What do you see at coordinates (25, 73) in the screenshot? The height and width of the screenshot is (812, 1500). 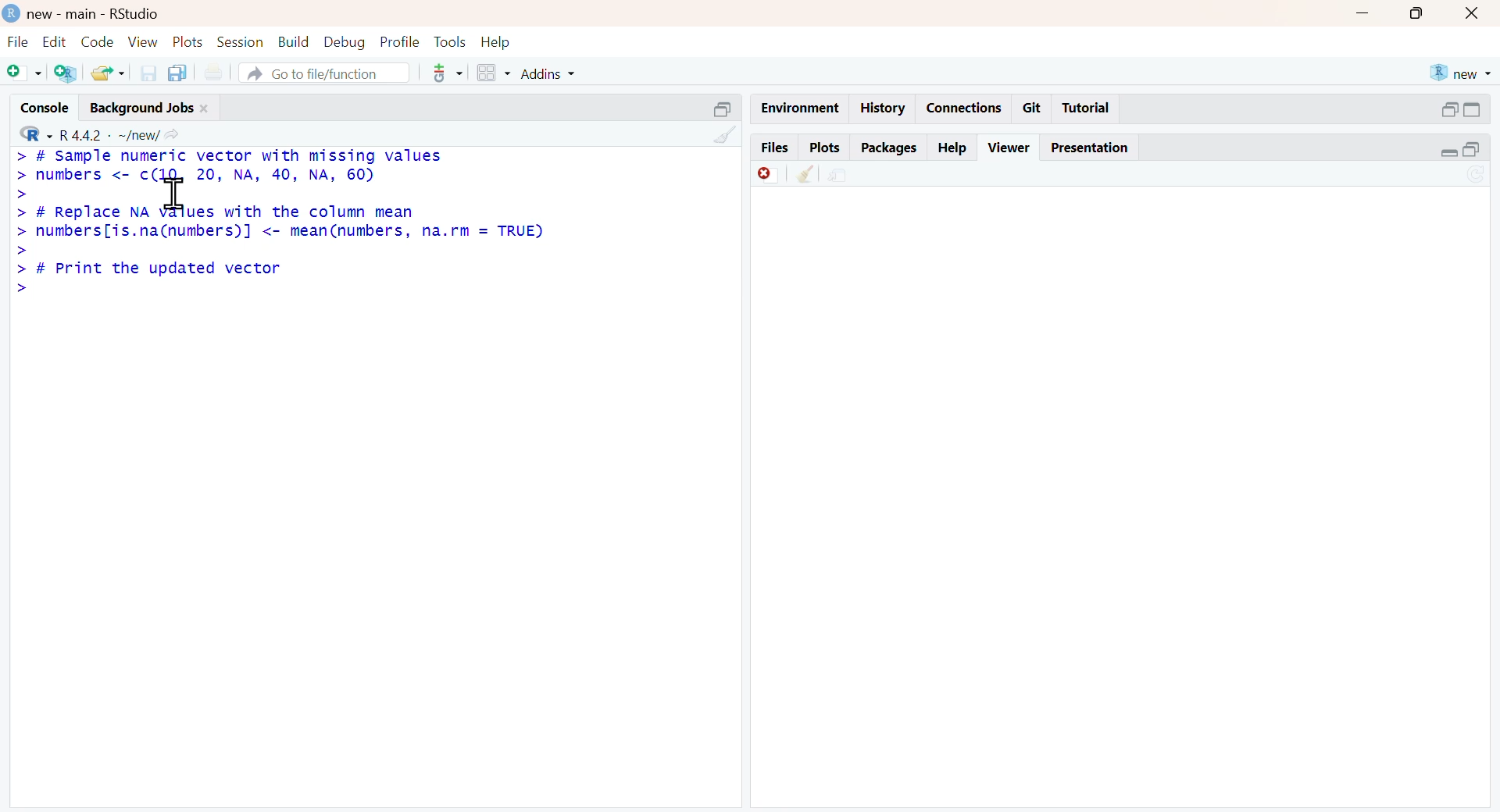 I see `add file as` at bounding box center [25, 73].